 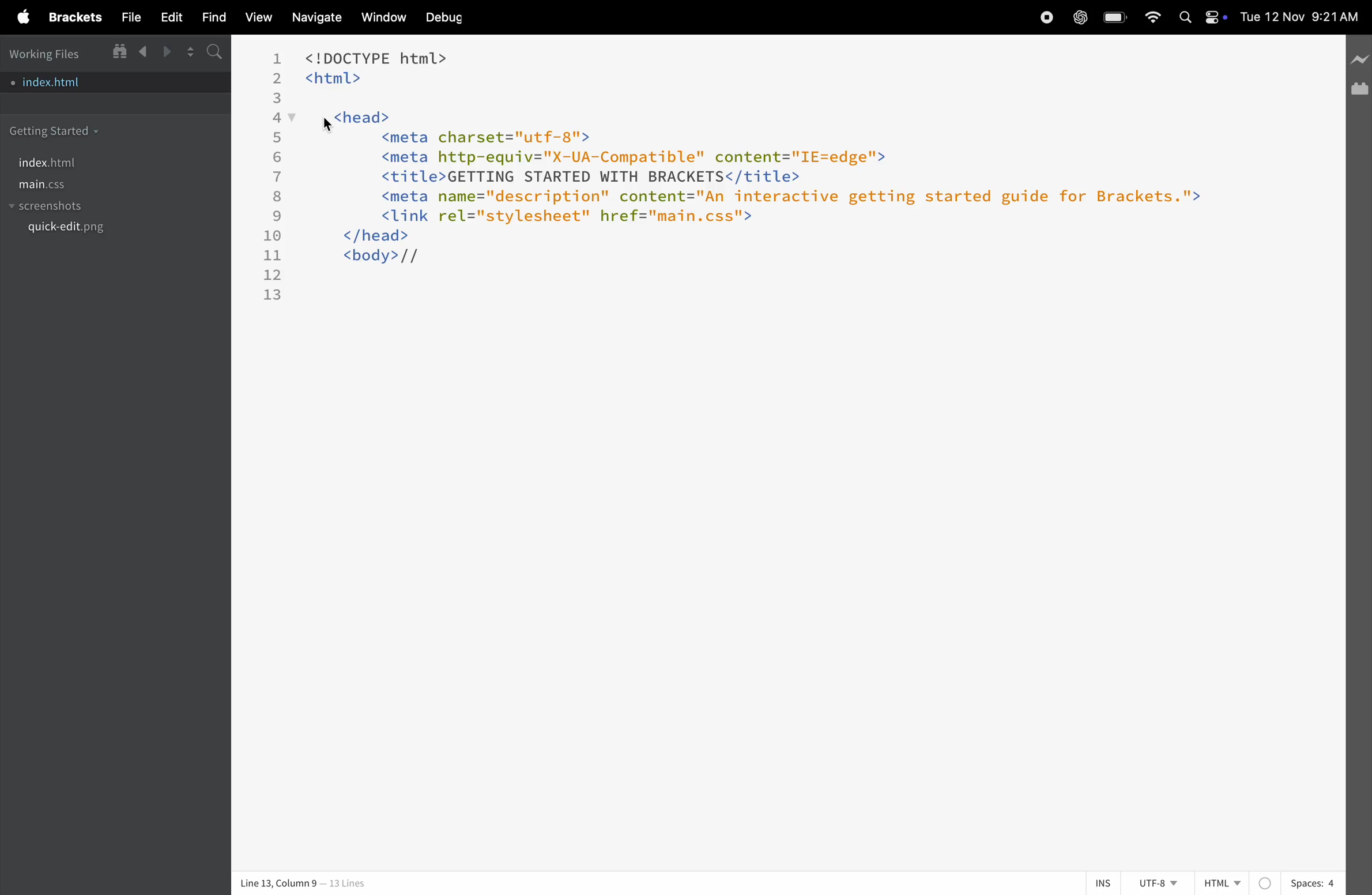 I want to click on index.html, so click(x=91, y=78).